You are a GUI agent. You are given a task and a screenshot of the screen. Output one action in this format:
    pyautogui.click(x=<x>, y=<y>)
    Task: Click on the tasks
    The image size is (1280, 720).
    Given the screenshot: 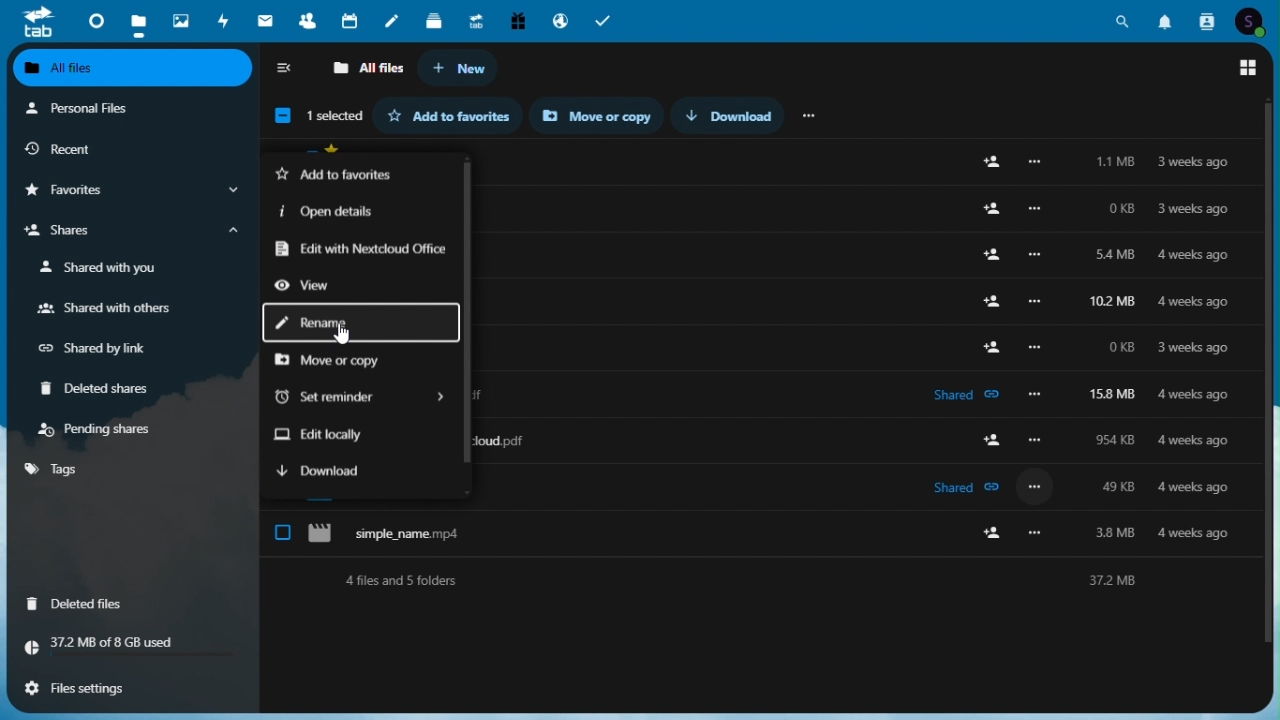 What is the action you would take?
    pyautogui.click(x=606, y=19)
    